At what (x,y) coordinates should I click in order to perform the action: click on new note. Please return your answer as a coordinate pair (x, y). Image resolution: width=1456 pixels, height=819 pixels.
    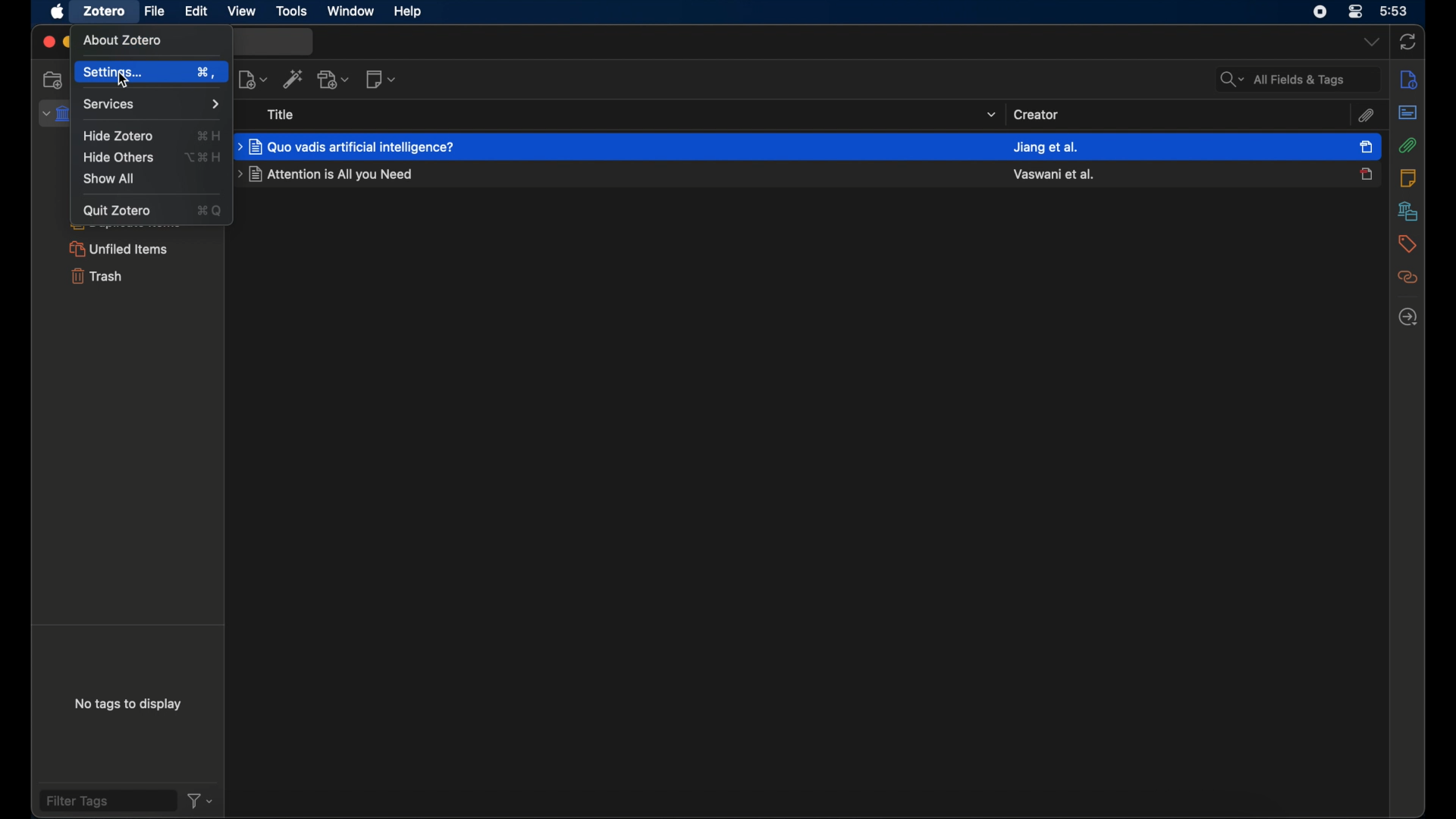
    Looking at the image, I should click on (381, 79).